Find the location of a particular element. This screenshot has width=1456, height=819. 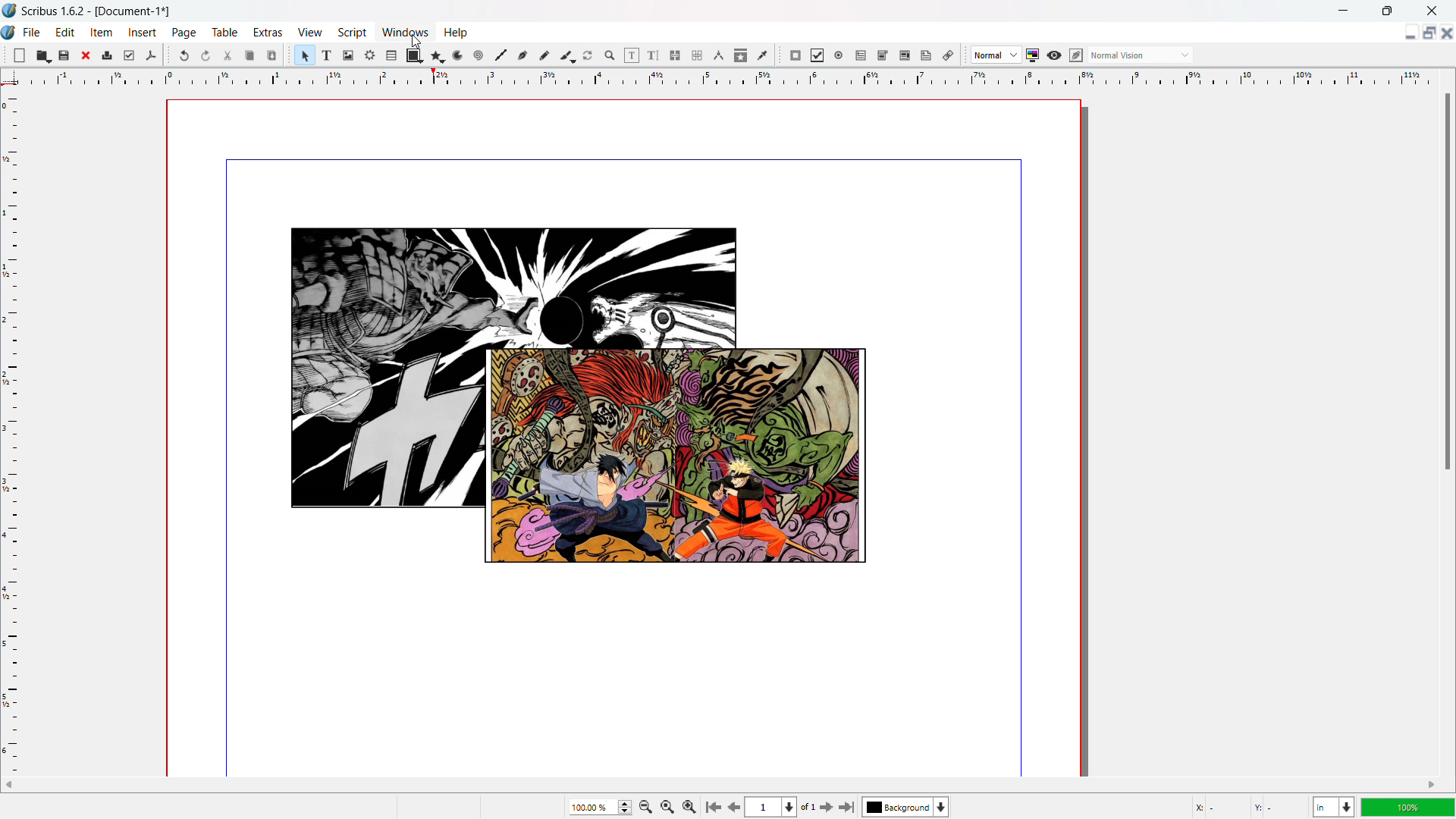

edit in preview mode is located at coordinates (1076, 55).